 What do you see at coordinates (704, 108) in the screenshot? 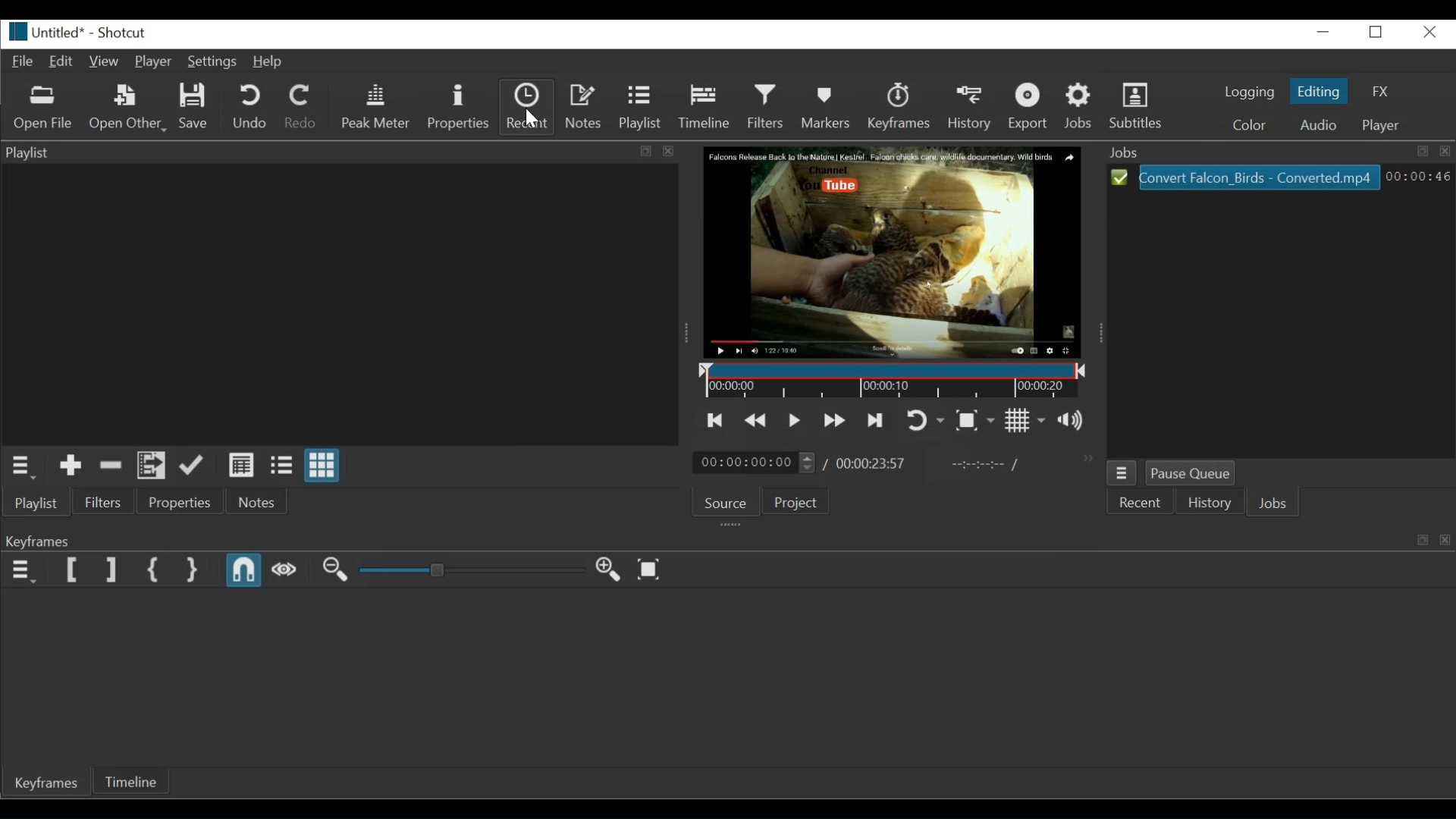
I see `Timeline` at bounding box center [704, 108].